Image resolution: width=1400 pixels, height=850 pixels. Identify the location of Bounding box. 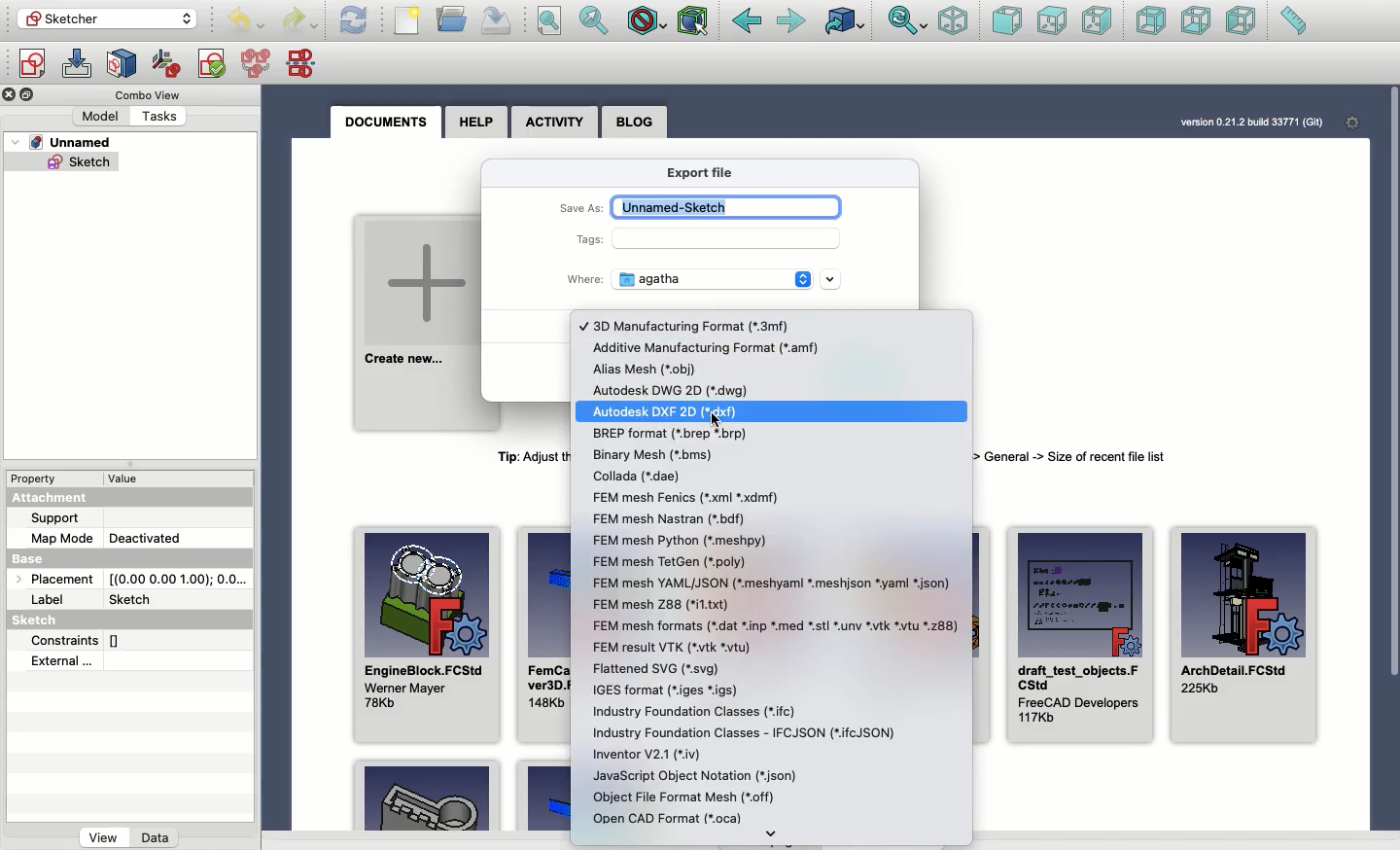
(695, 19).